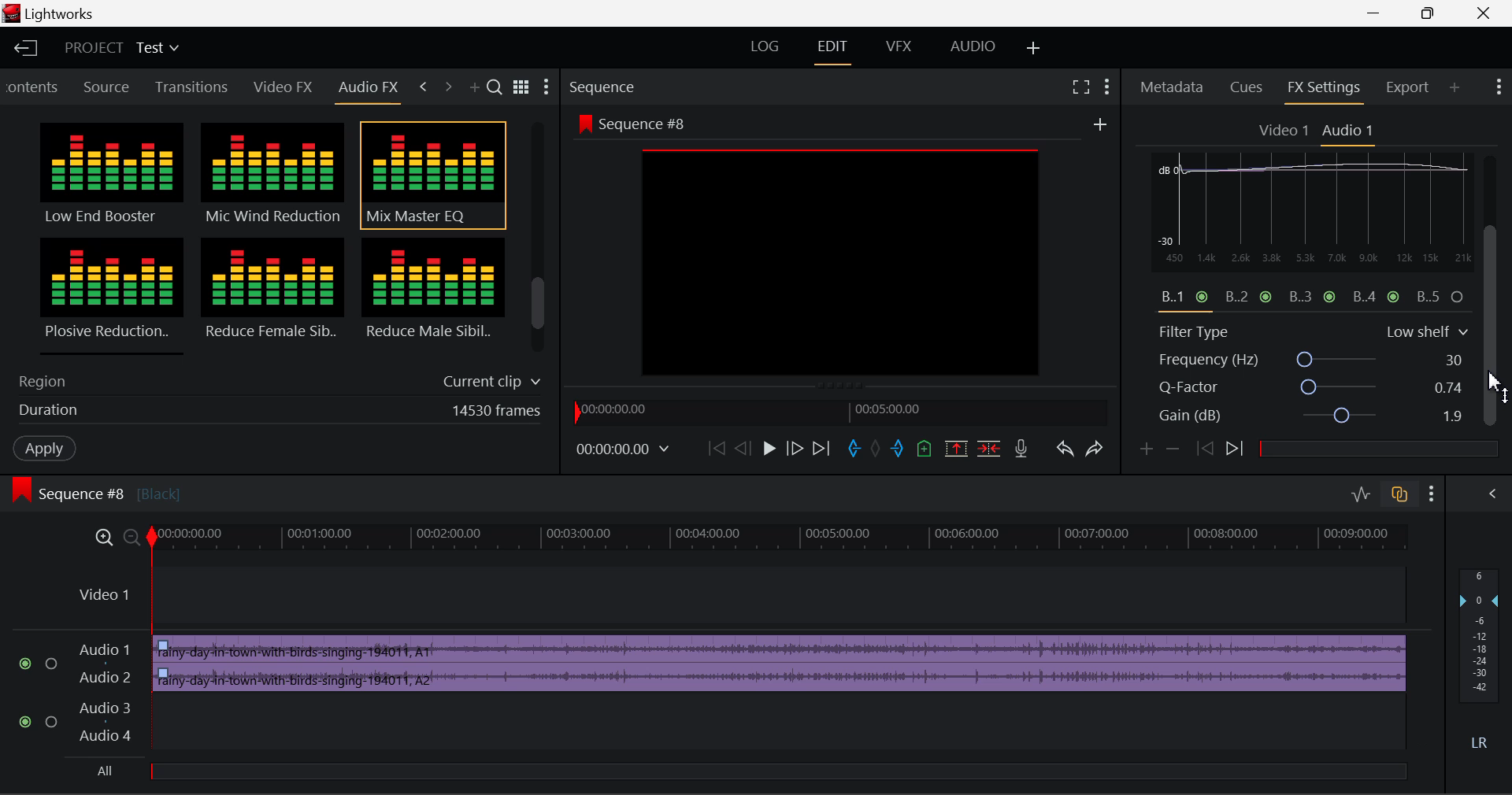 The image size is (1512, 795). Describe the element at coordinates (769, 449) in the screenshot. I see `Play` at that location.